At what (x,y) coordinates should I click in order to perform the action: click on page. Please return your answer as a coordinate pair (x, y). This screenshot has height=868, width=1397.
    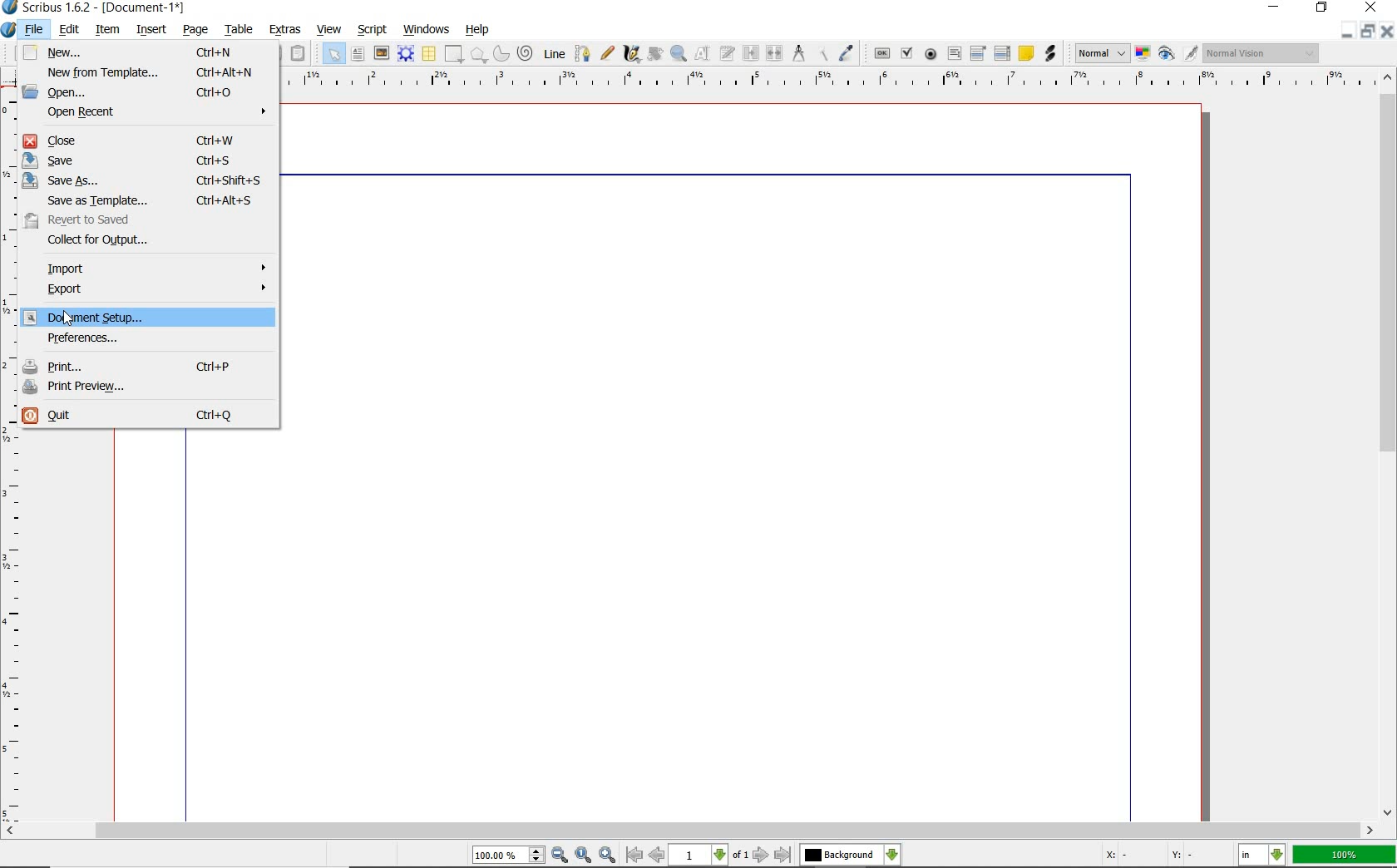
    Looking at the image, I should click on (199, 30).